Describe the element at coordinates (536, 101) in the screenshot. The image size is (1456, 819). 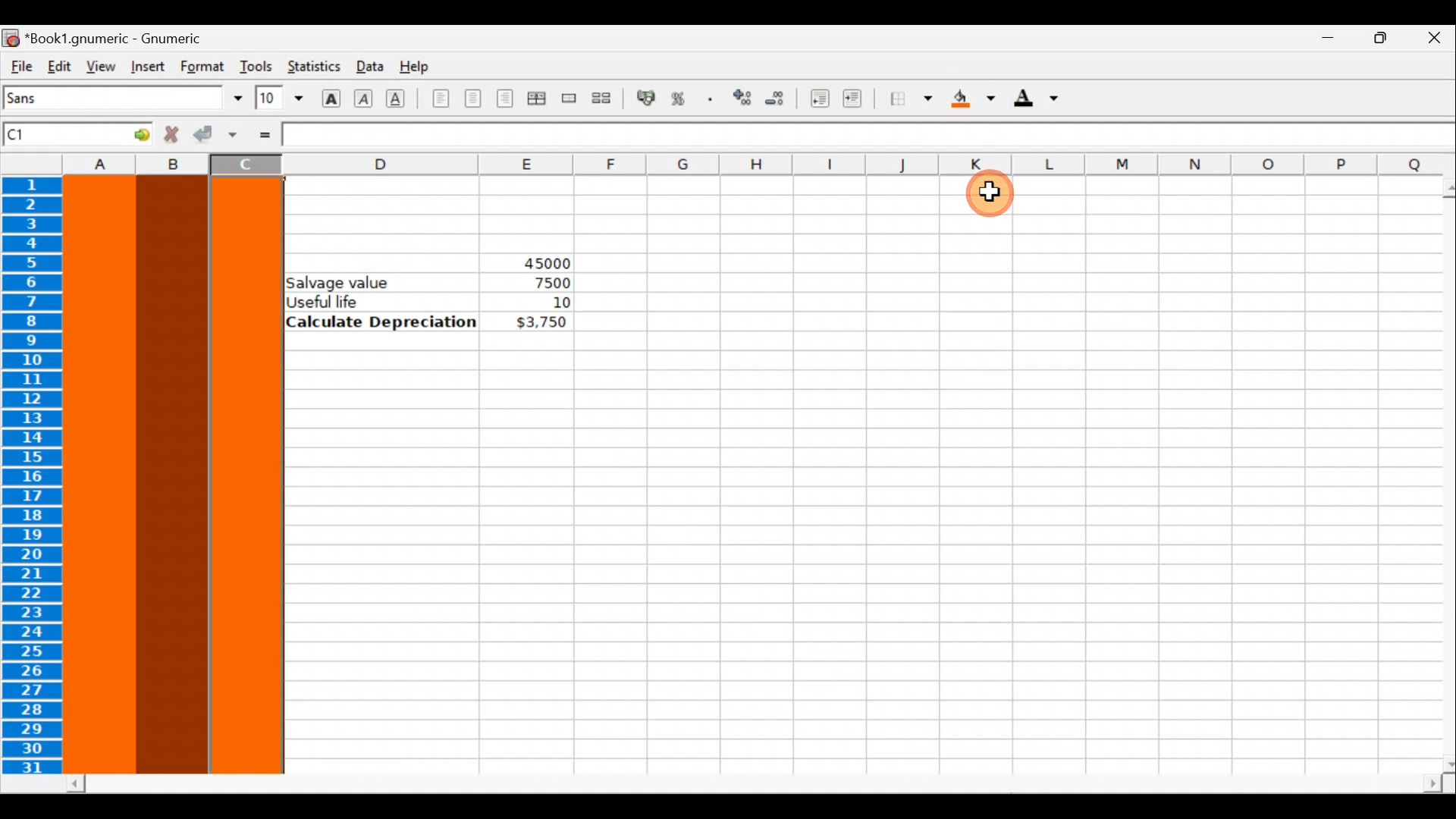
I see `Centre horizontally across selection` at that location.